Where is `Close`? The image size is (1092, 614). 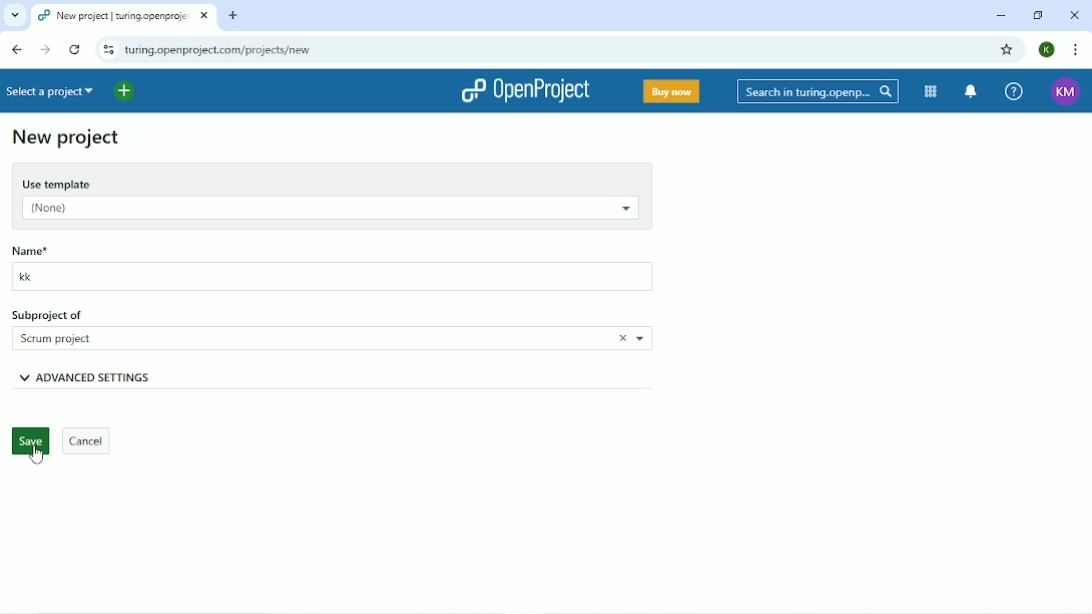
Close is located at coordinates (1074, 14).